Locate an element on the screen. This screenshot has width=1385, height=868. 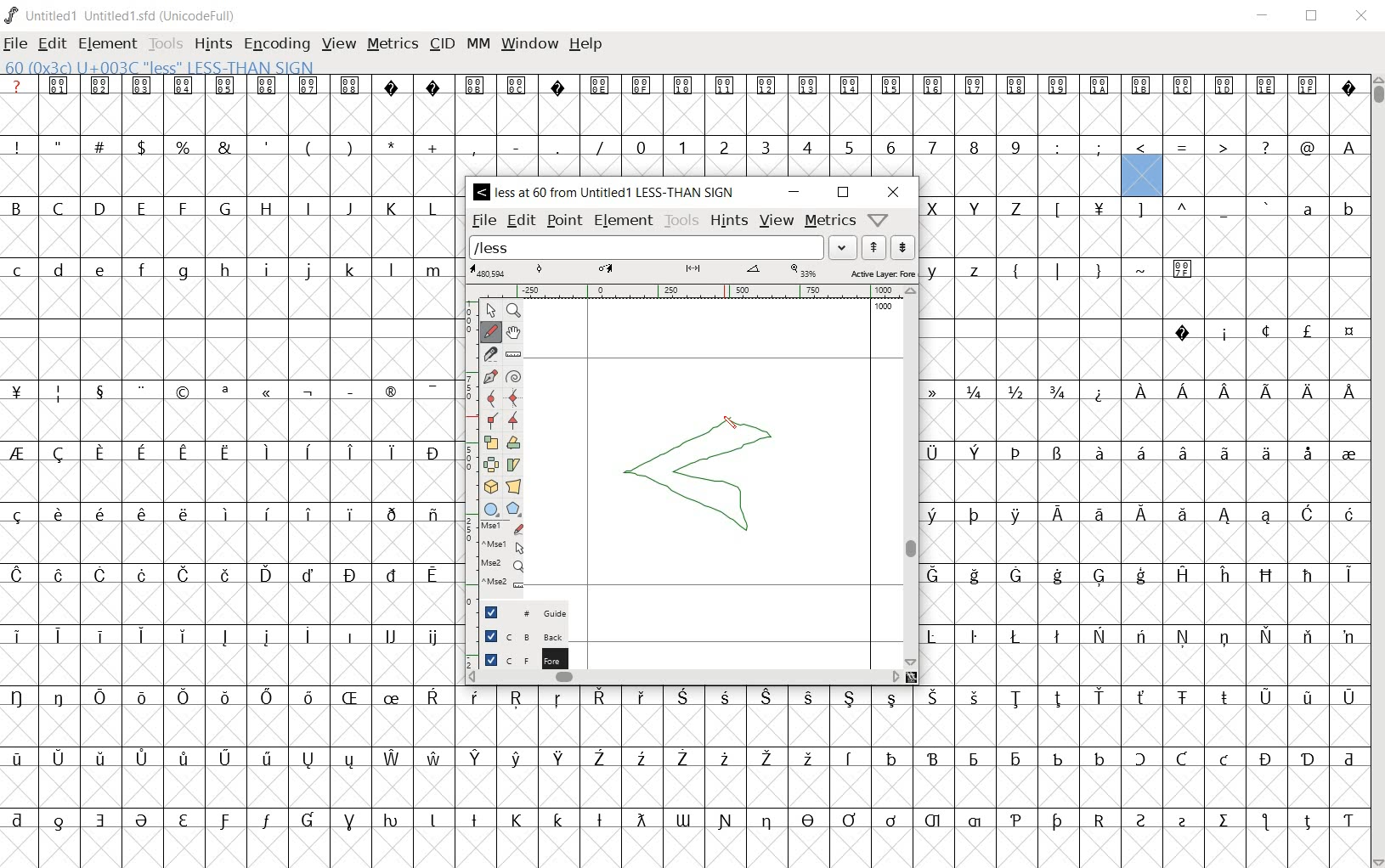
number 0 - 9 is located at coordinates (828, 147).